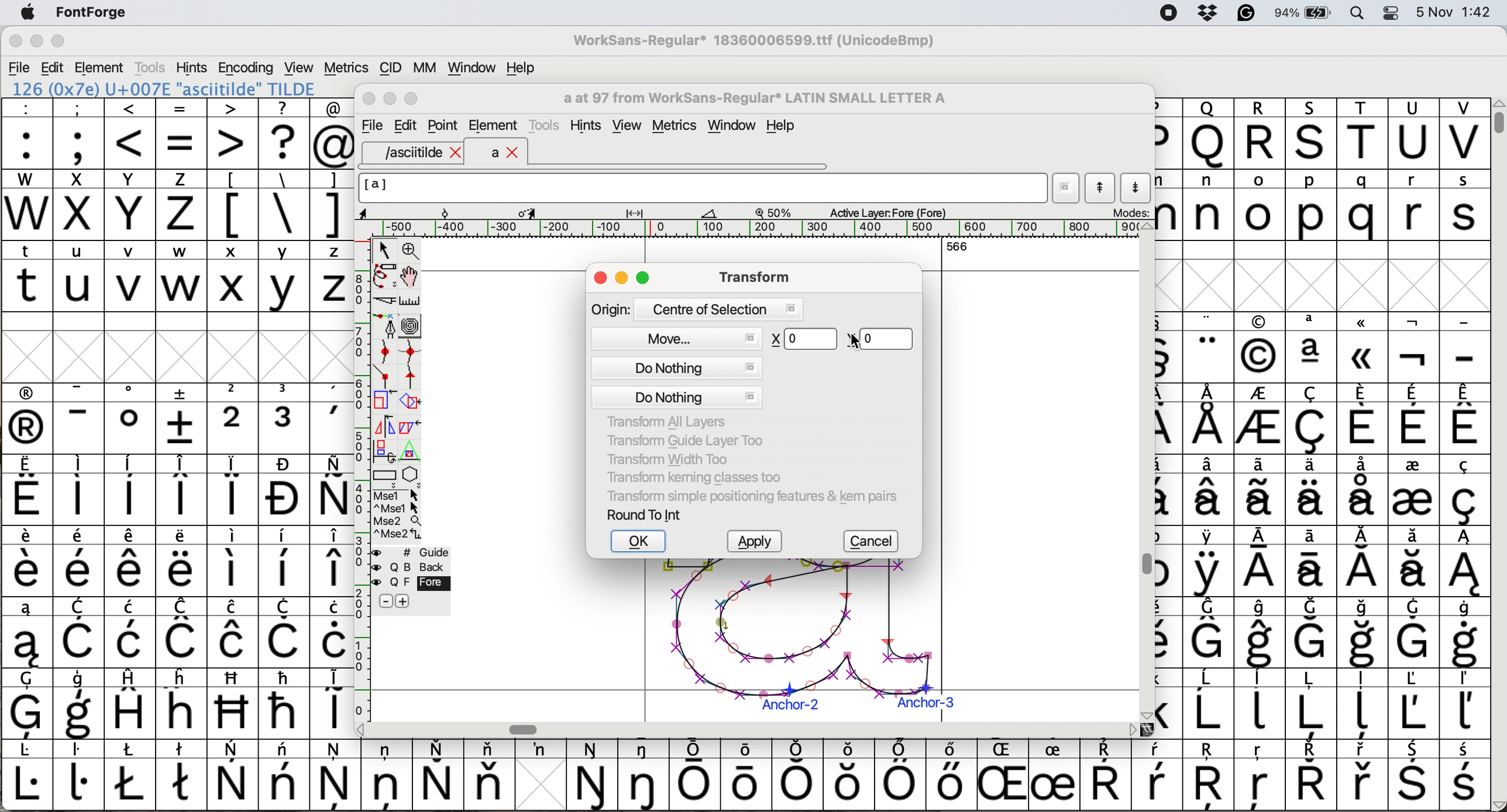 This screenshot has height=812, width=1507. What do you see at coordinates (78, 205) in the screenshot?
I see `x` at bounding box center [78, 205].